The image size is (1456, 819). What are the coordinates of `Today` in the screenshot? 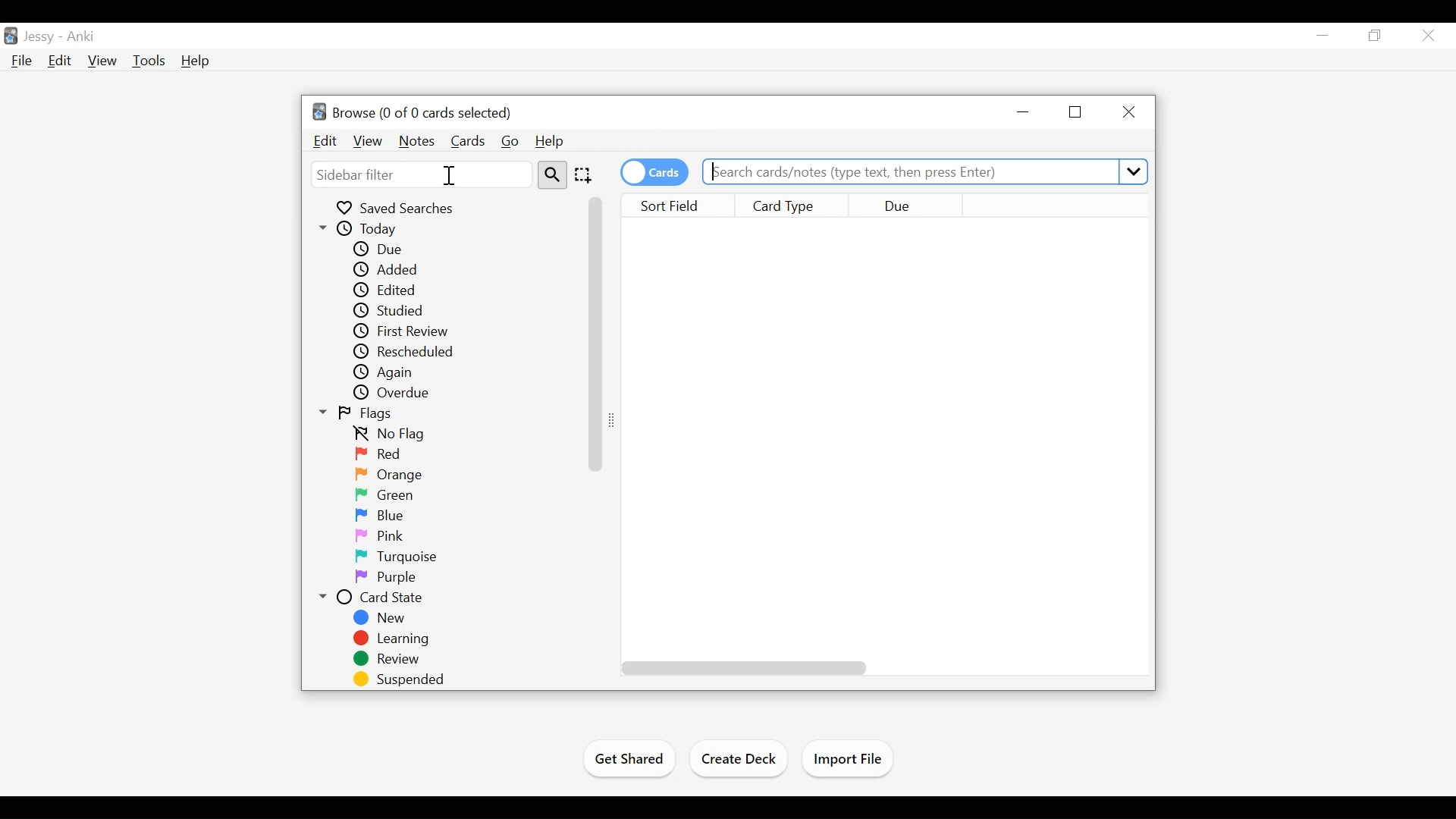 It's located at (366, 230).